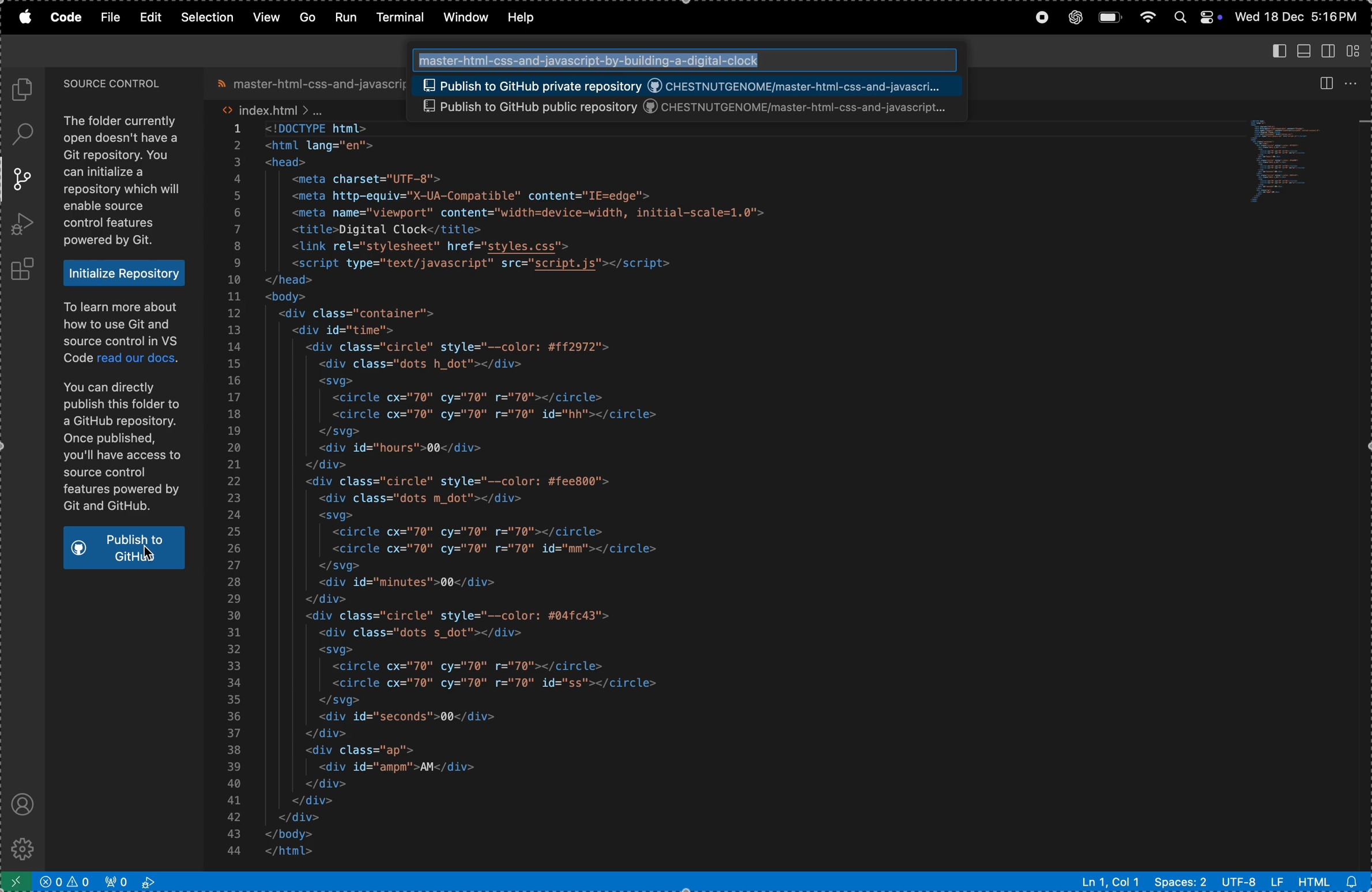 The width and height of the screenshot is (1372, 892). What do you see at coordinates (356, 313) in the screenshot?
I see `<div class="container">` at bounding box center [356, 313].